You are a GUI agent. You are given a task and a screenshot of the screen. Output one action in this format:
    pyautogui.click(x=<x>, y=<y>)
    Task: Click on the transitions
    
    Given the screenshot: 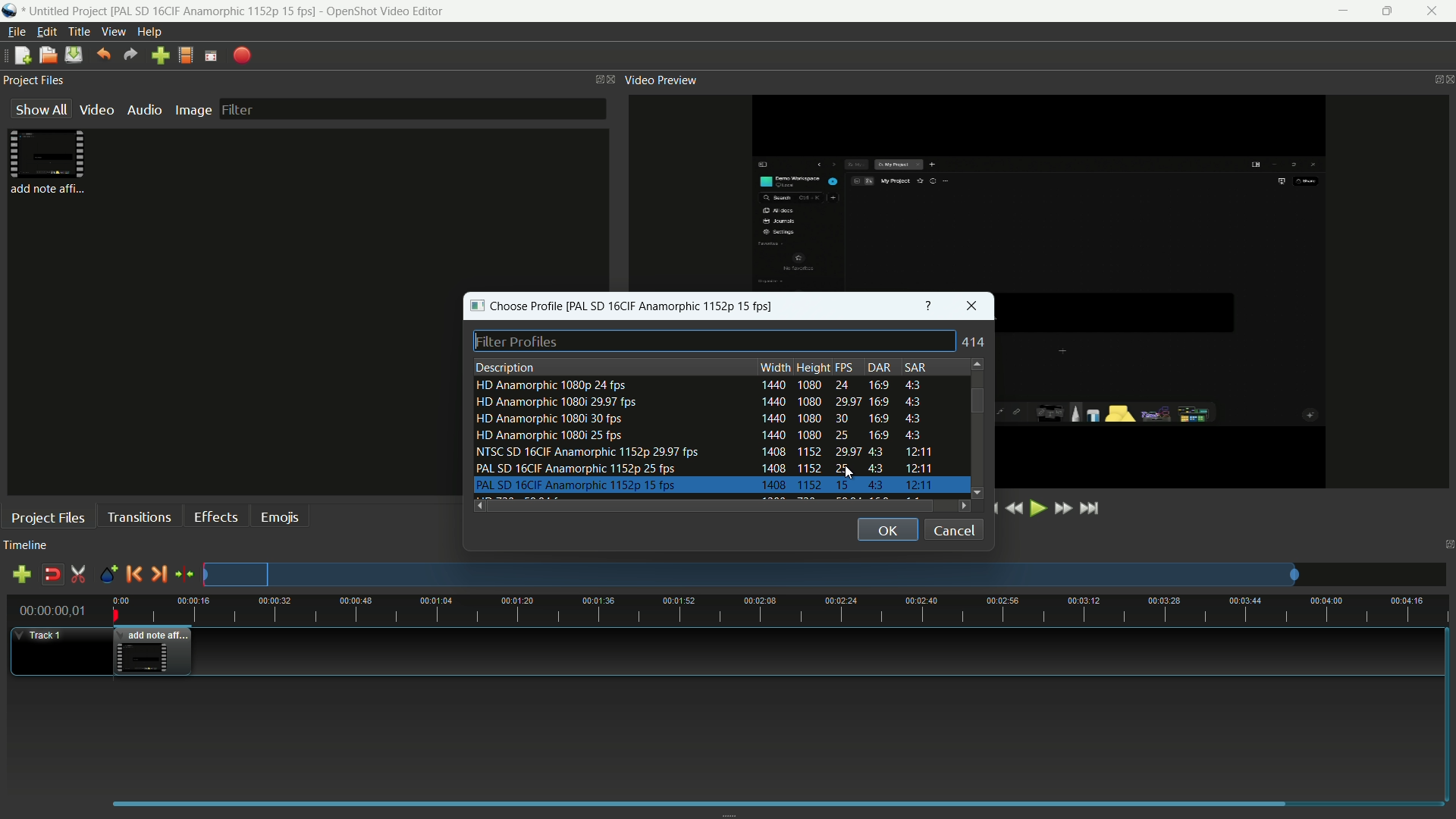 What is the action you would take?
    pyautogui.click(x=139, y=516)
    